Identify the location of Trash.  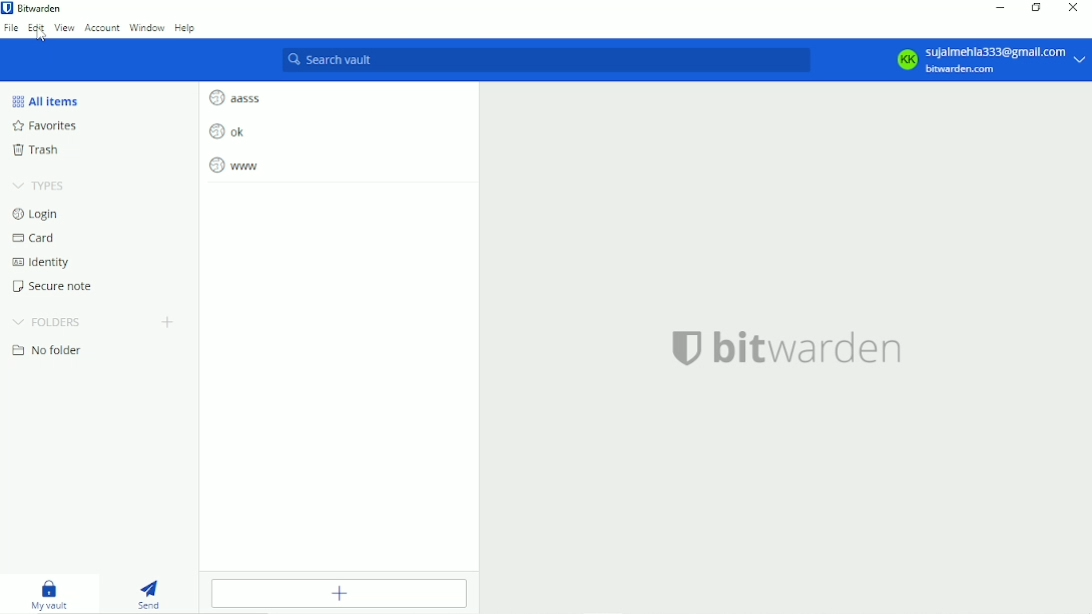
(36, 150).